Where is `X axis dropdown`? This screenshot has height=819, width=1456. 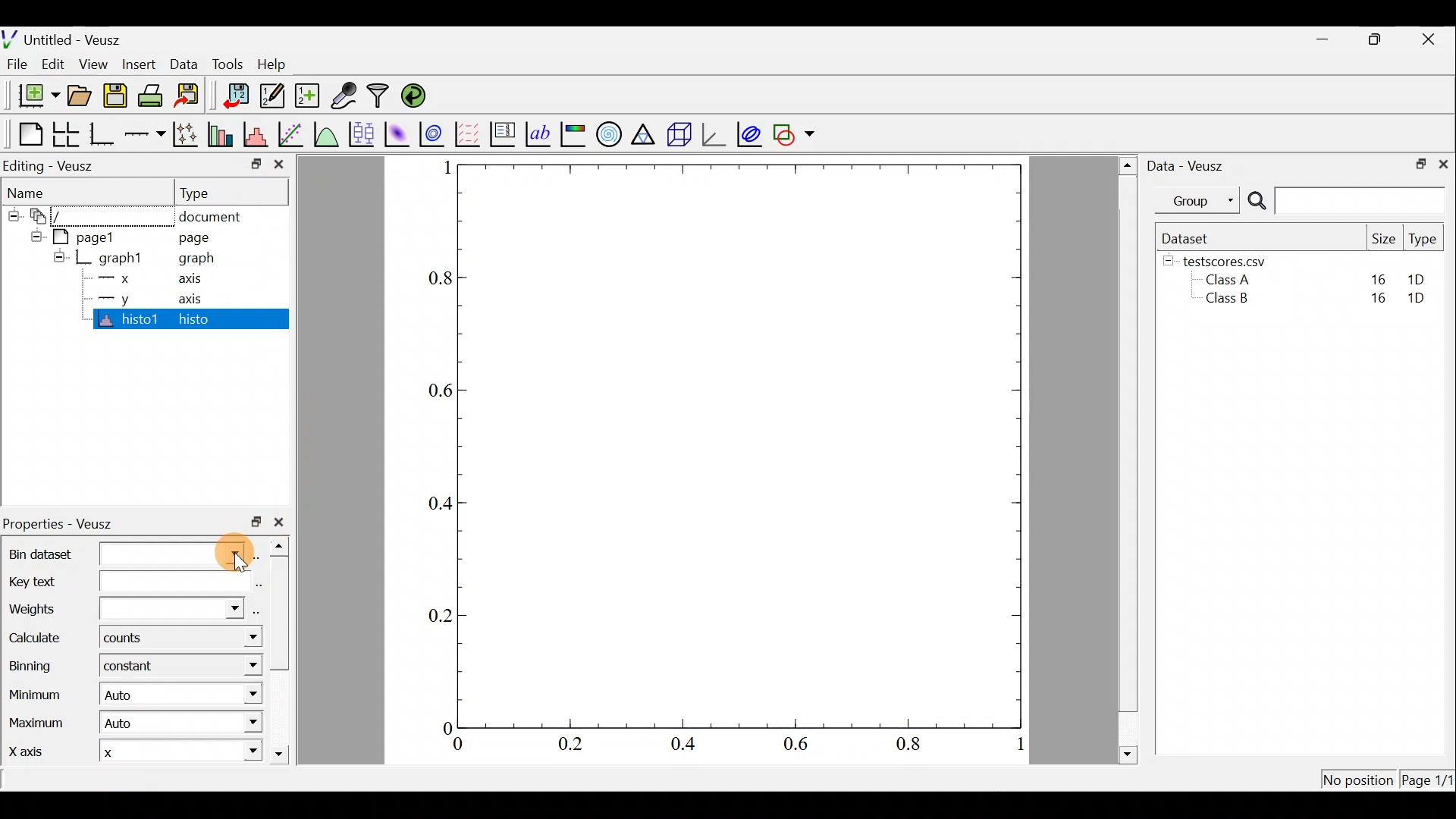 X axis dropdown is located at coordinates (237, 751).